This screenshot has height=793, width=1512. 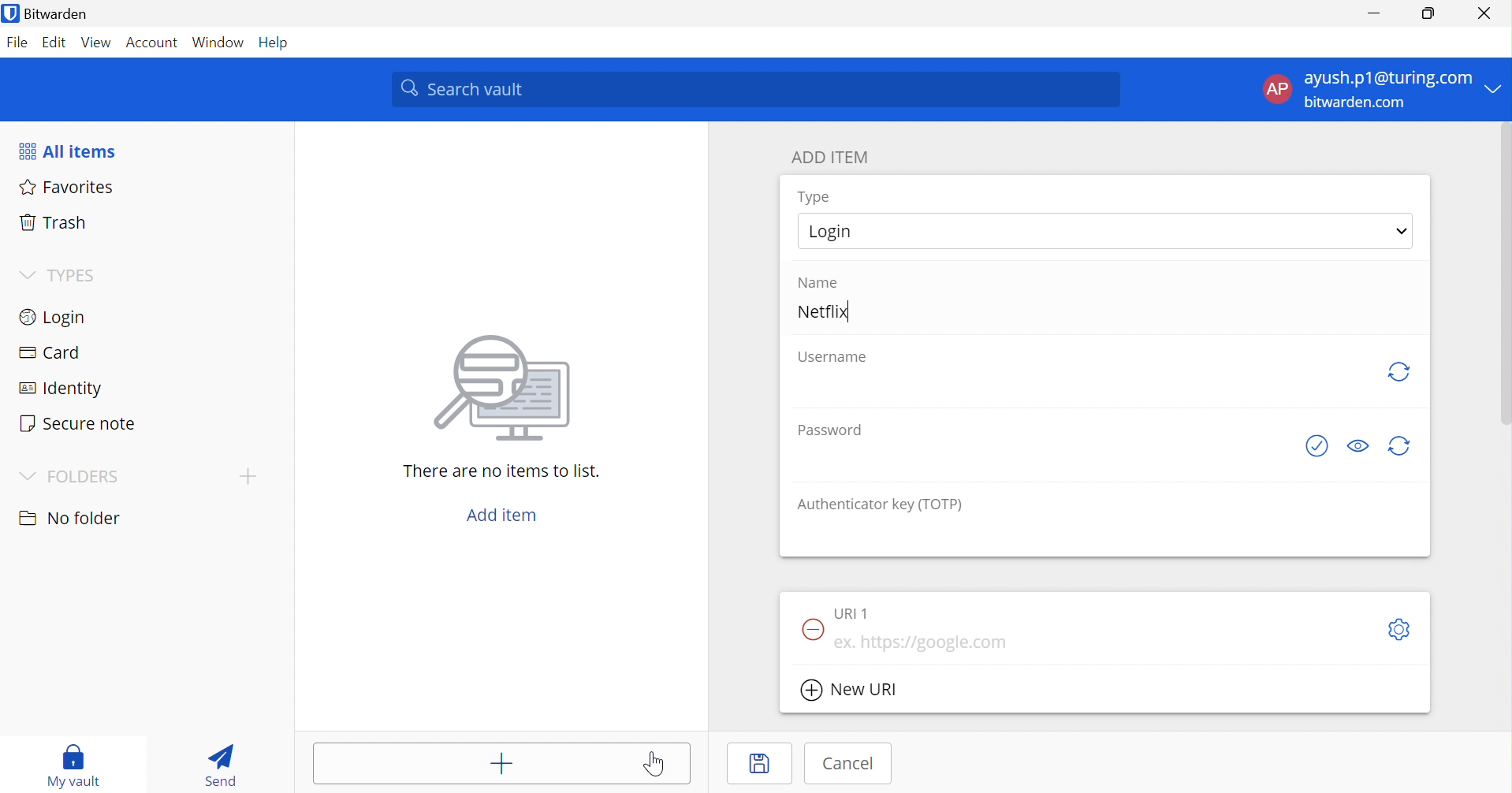 What do you see at coordinates (1358, 445) in the screenshot?
I see `Toggle visibility` at bounding box center [1358, 445].